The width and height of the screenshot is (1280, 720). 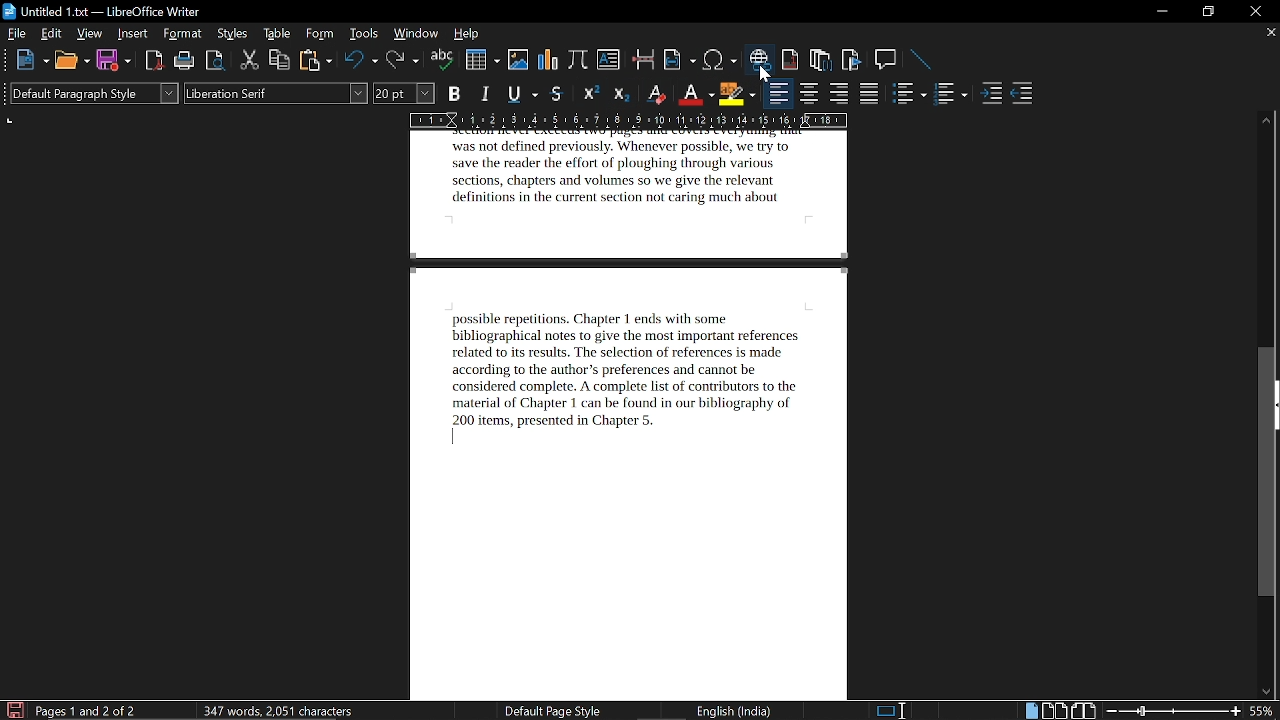 I want to click on move down, so click(x=1267, y=693).